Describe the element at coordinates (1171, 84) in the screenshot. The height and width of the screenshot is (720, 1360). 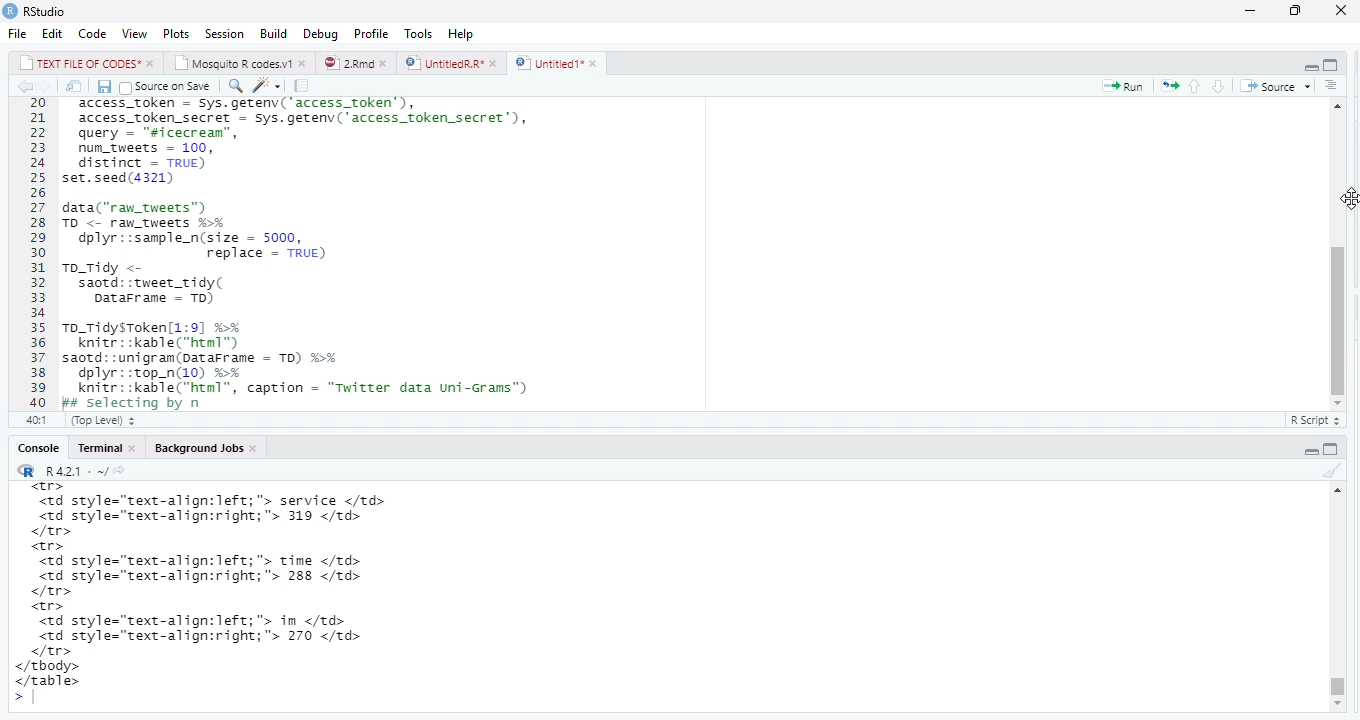
I see `rerun` at that location.